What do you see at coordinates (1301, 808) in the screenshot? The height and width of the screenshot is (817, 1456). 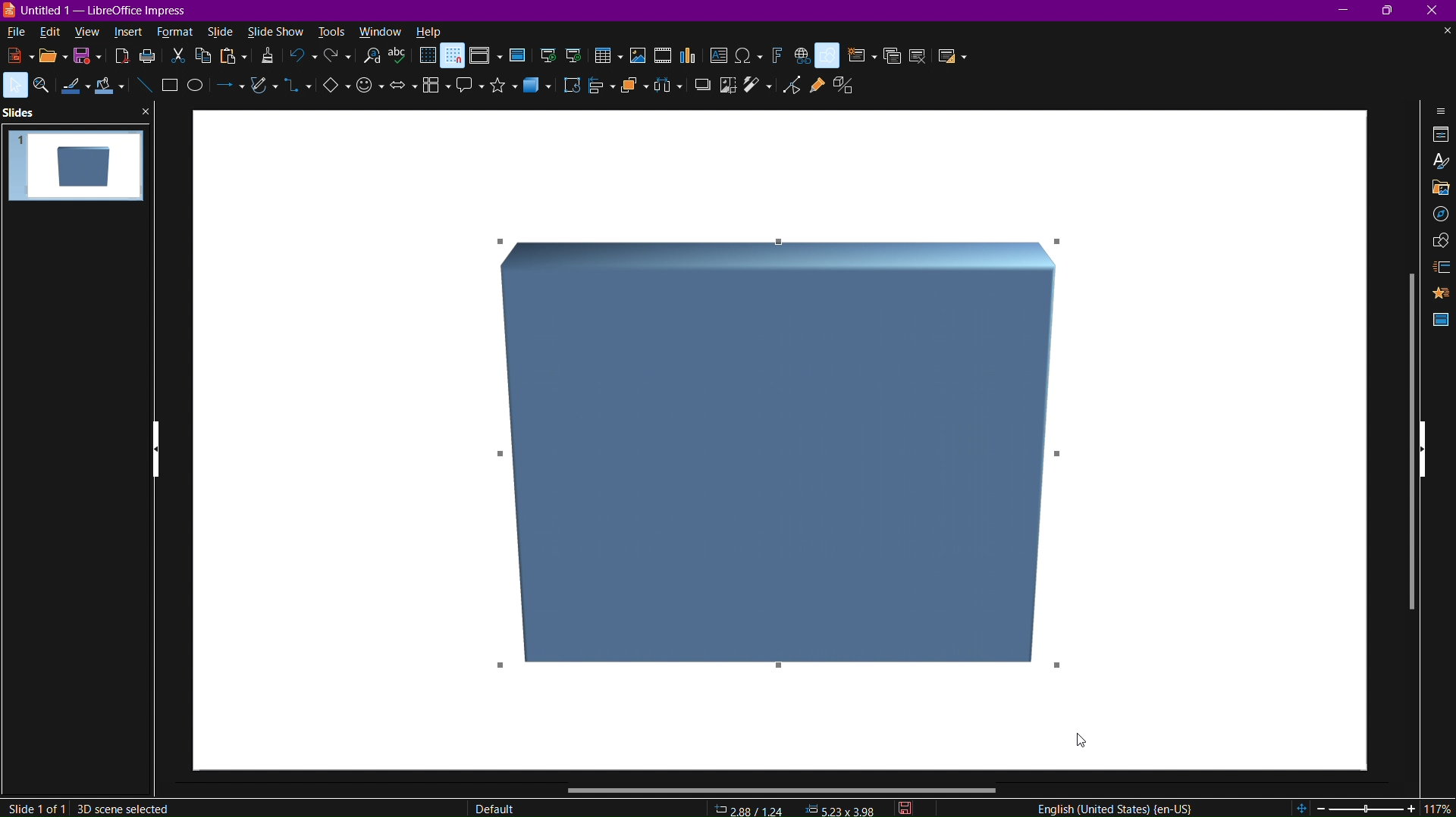 I see `fit page to current window` at bounding box center [1301, 808].